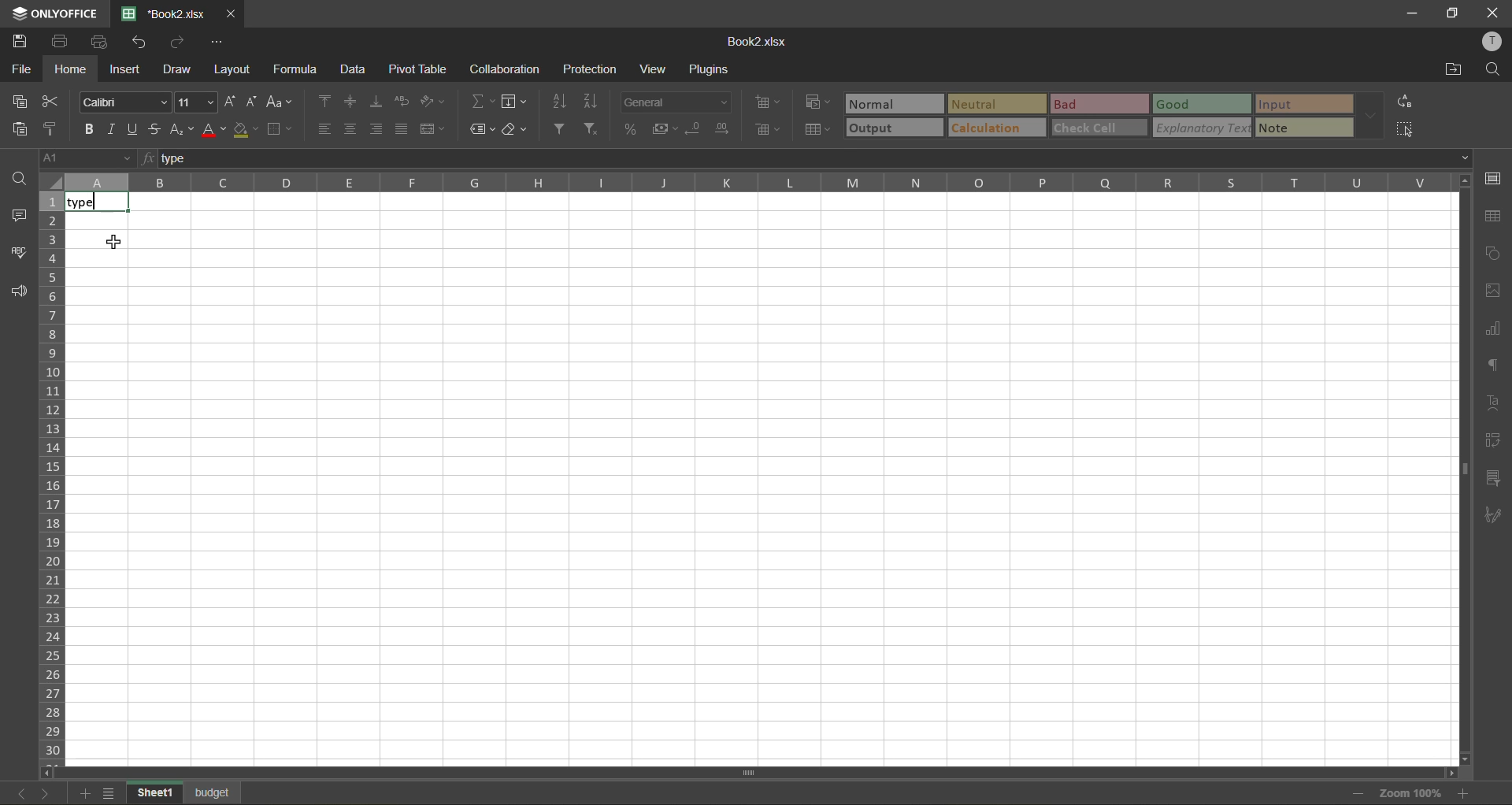 This screenshot has height=805, width=1512. What do you see at coordinates (51, 475) in the screenshot?
I see `row numbers` at bounding box center [51, 475].